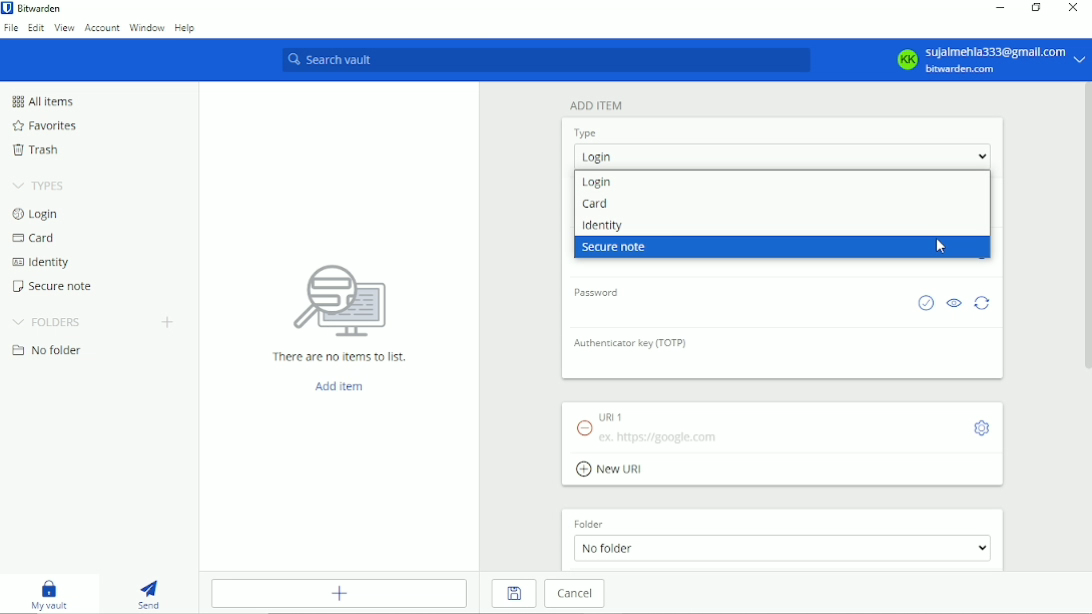  Describe the element at coordinates (597, 157) in the screenshot. I see `Login` at that location.